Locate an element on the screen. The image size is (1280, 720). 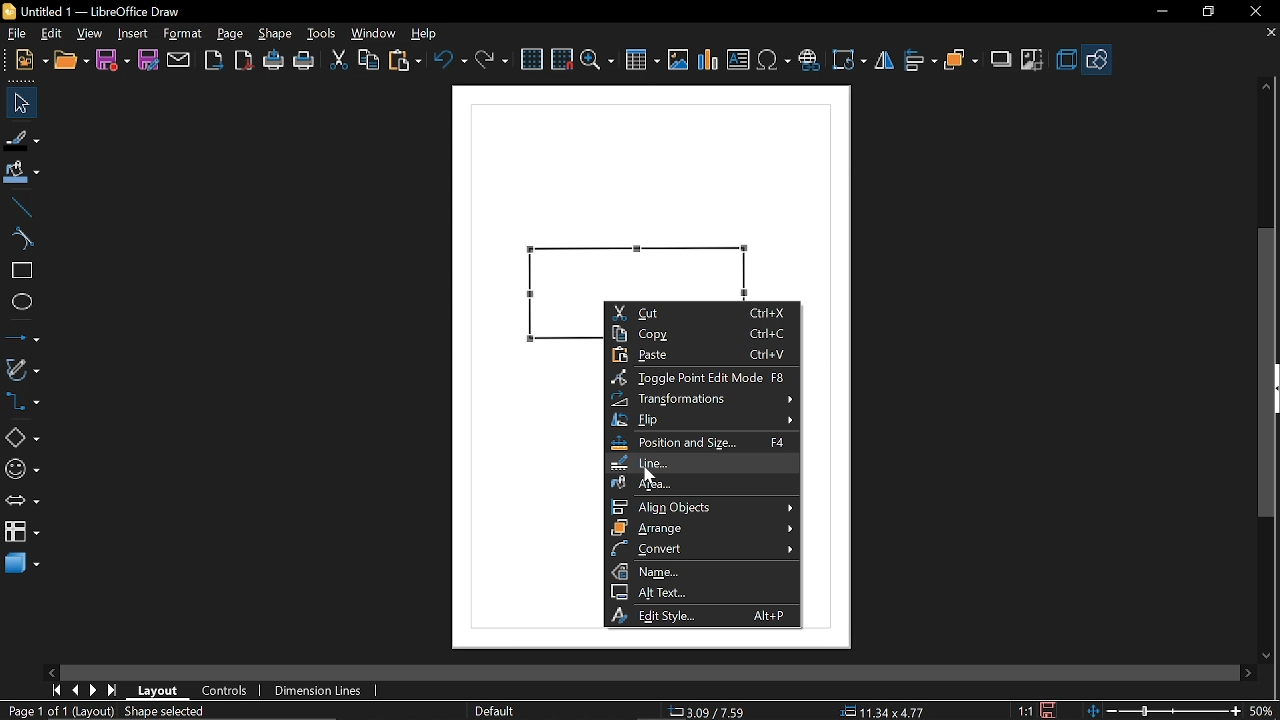
insert chart is located at coordinates (706, 60).